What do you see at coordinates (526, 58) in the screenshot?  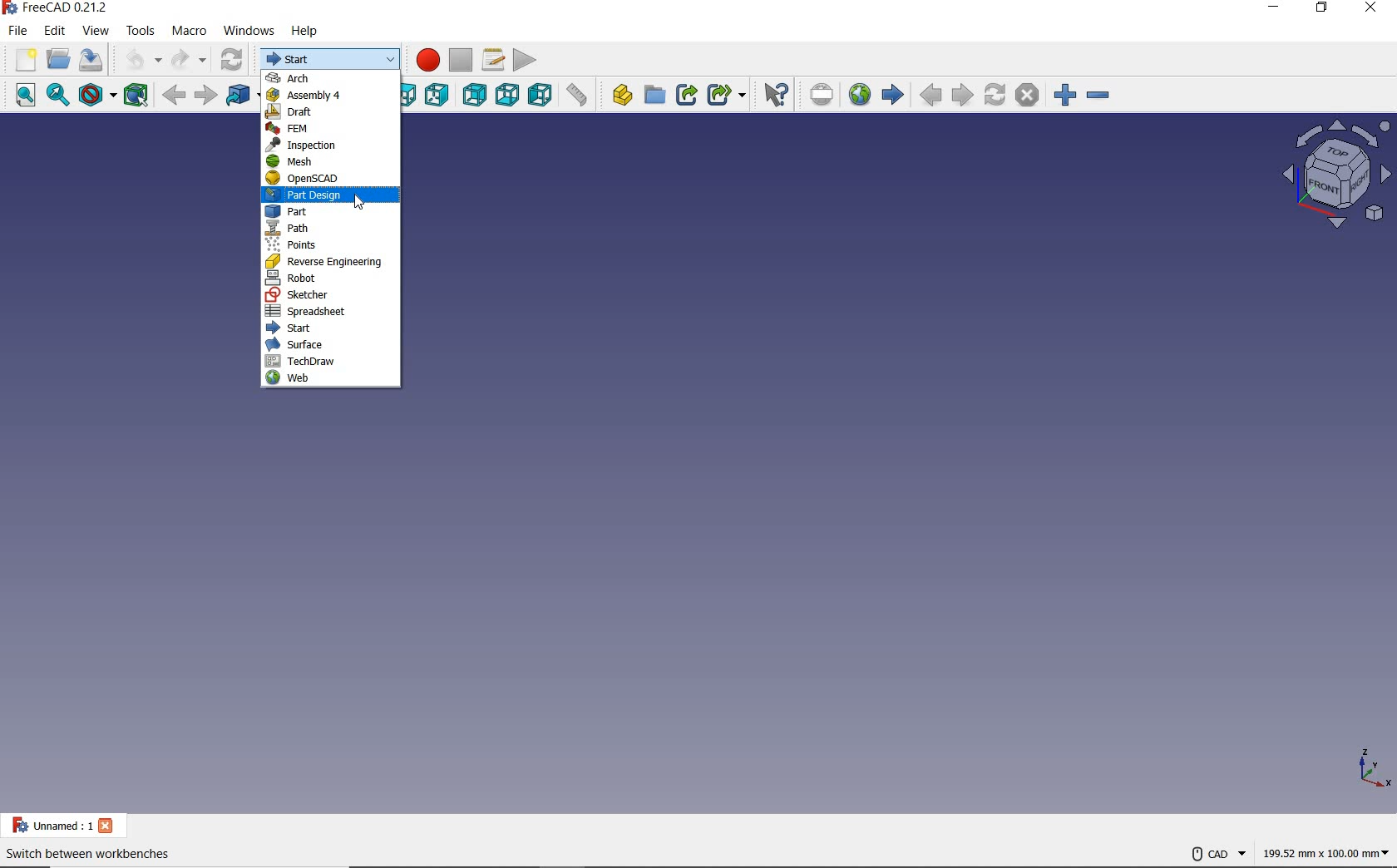 I see `EXECUTE MACRO` at bounding box center [526, 58].